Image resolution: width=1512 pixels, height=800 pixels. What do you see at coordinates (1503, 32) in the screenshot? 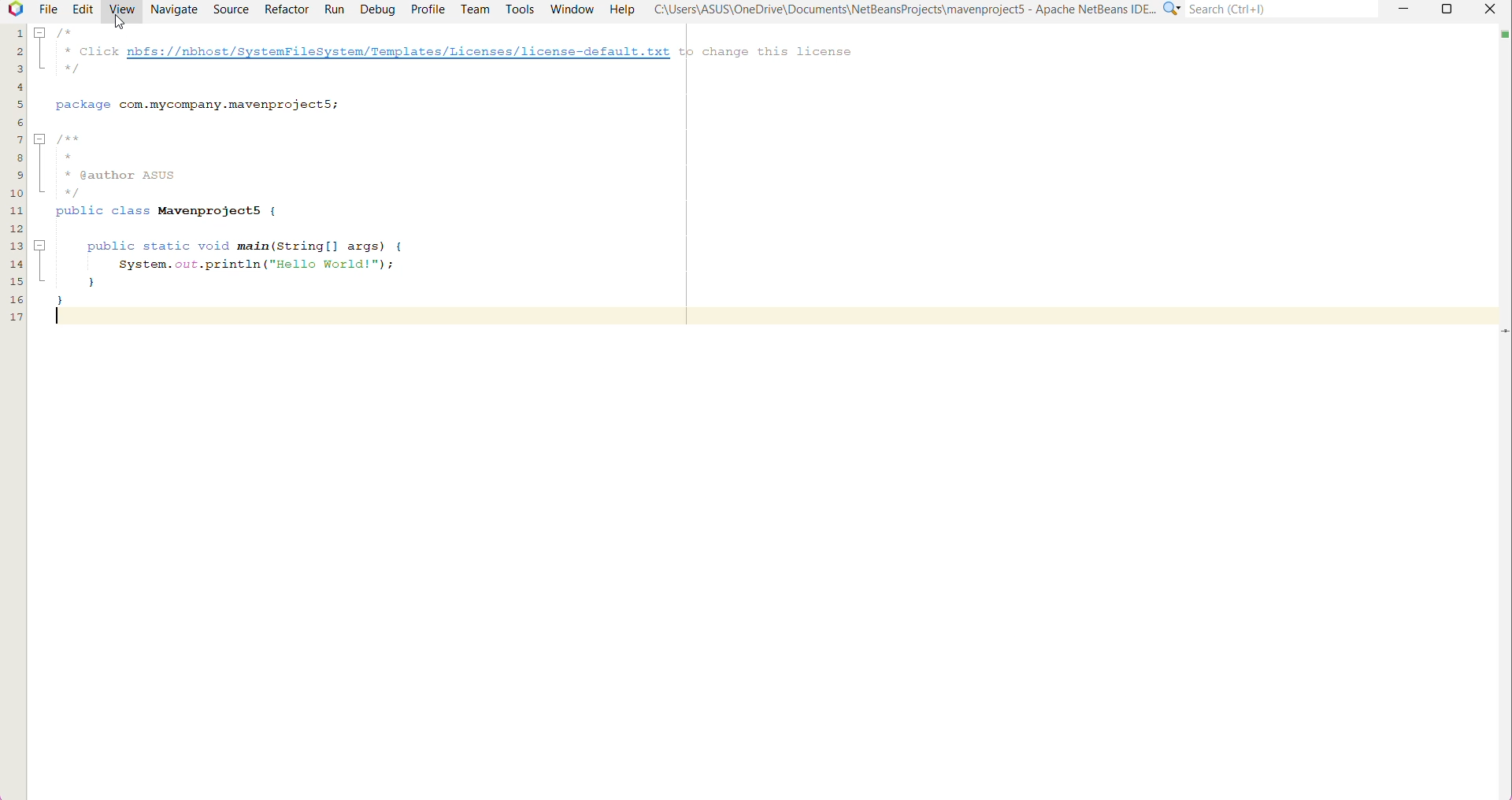
I see `no errors` at bounding box center [1503, 32].